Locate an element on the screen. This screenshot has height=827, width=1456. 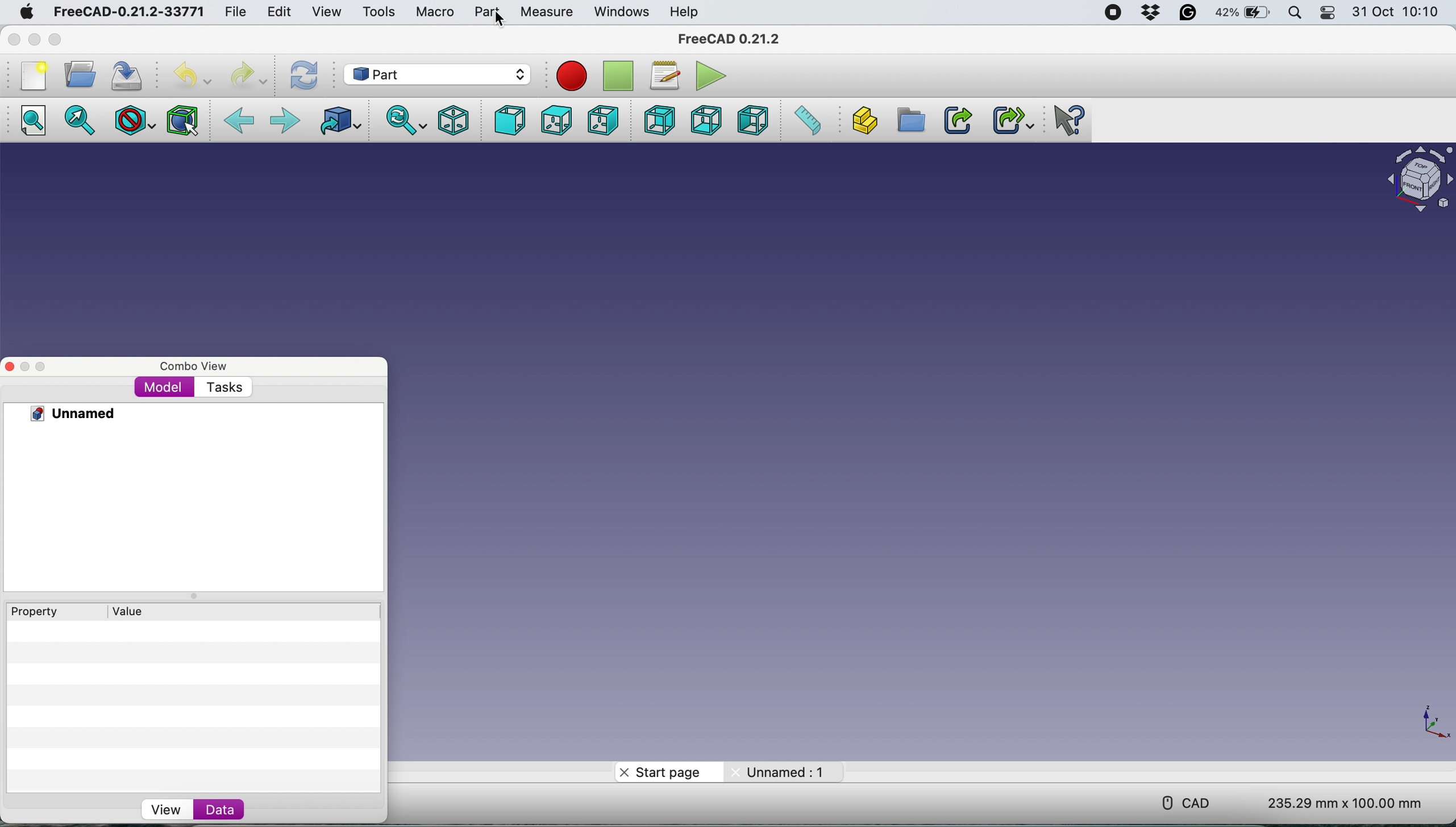
Close is located at coordinates (14, 40).